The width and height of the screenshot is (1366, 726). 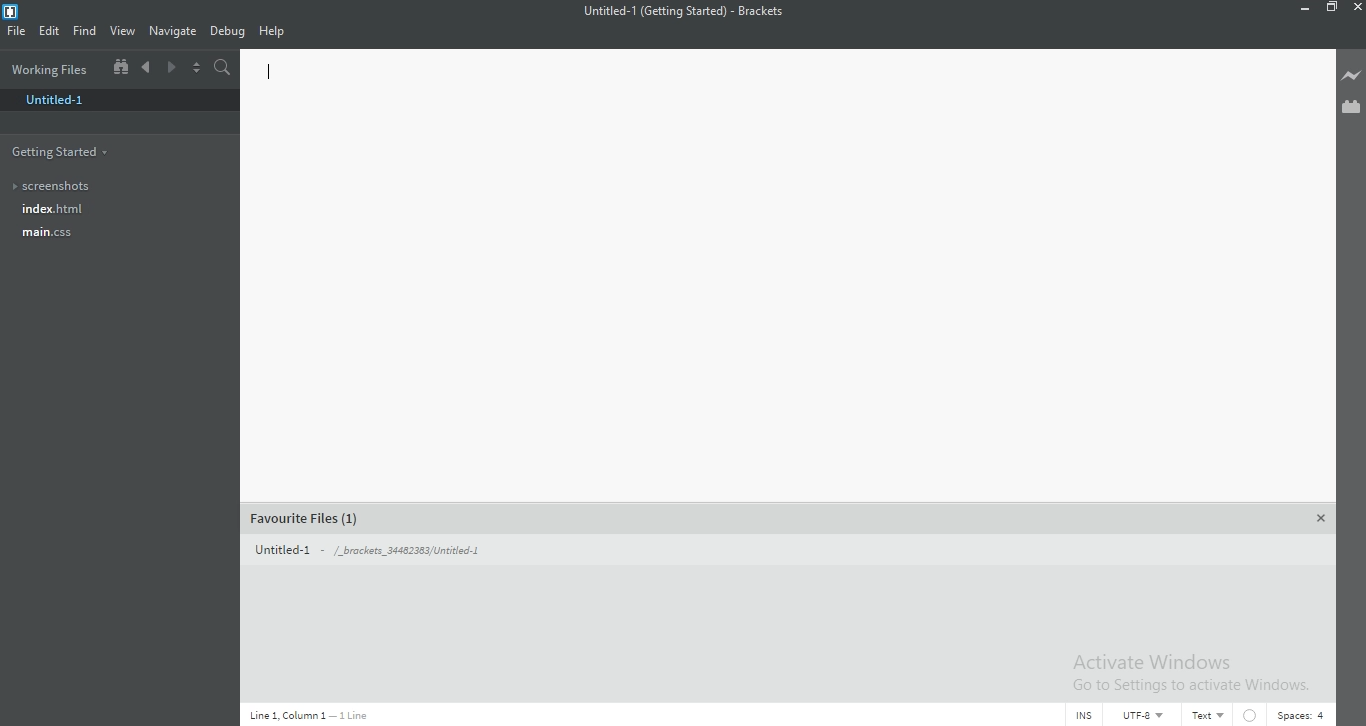 What do you see at coordinates (229, 33) in the screenshot?
I see `Debug` at bounding box center [229, 33].